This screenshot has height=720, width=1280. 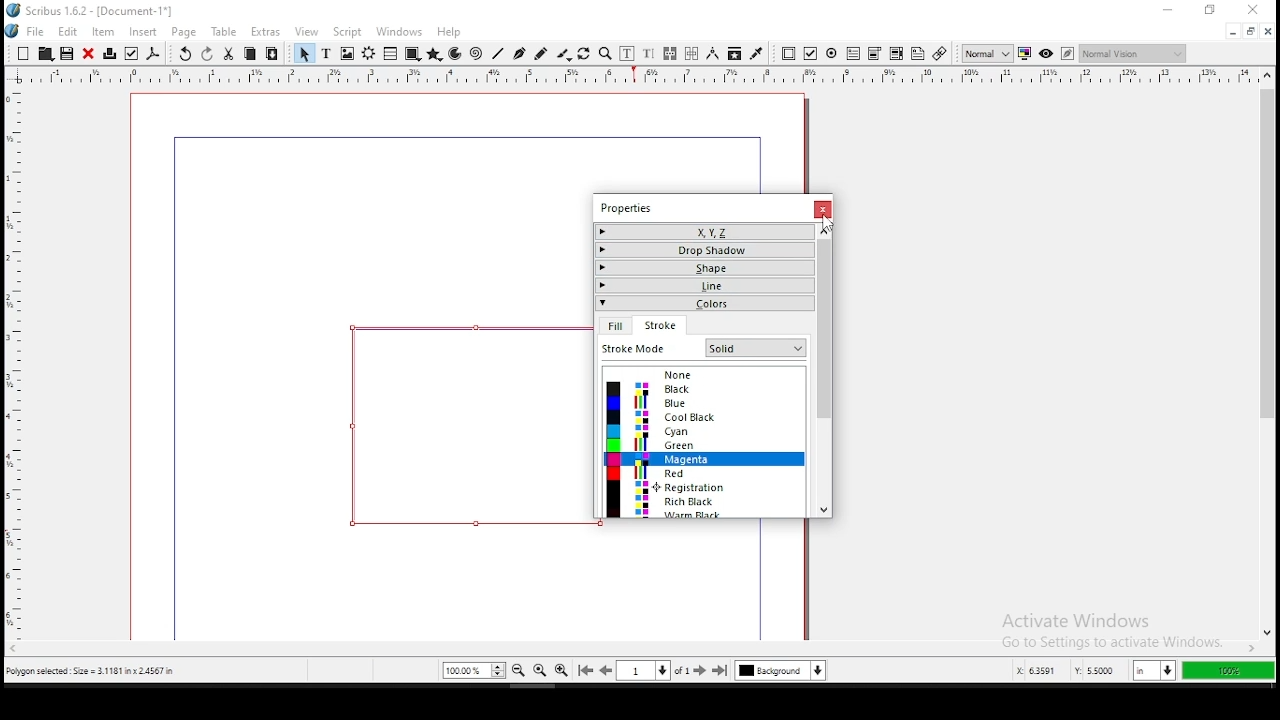 What do you see at coordinates (412, 54) in the screenshot?
I see `shape` at bounding box center [412, 54].